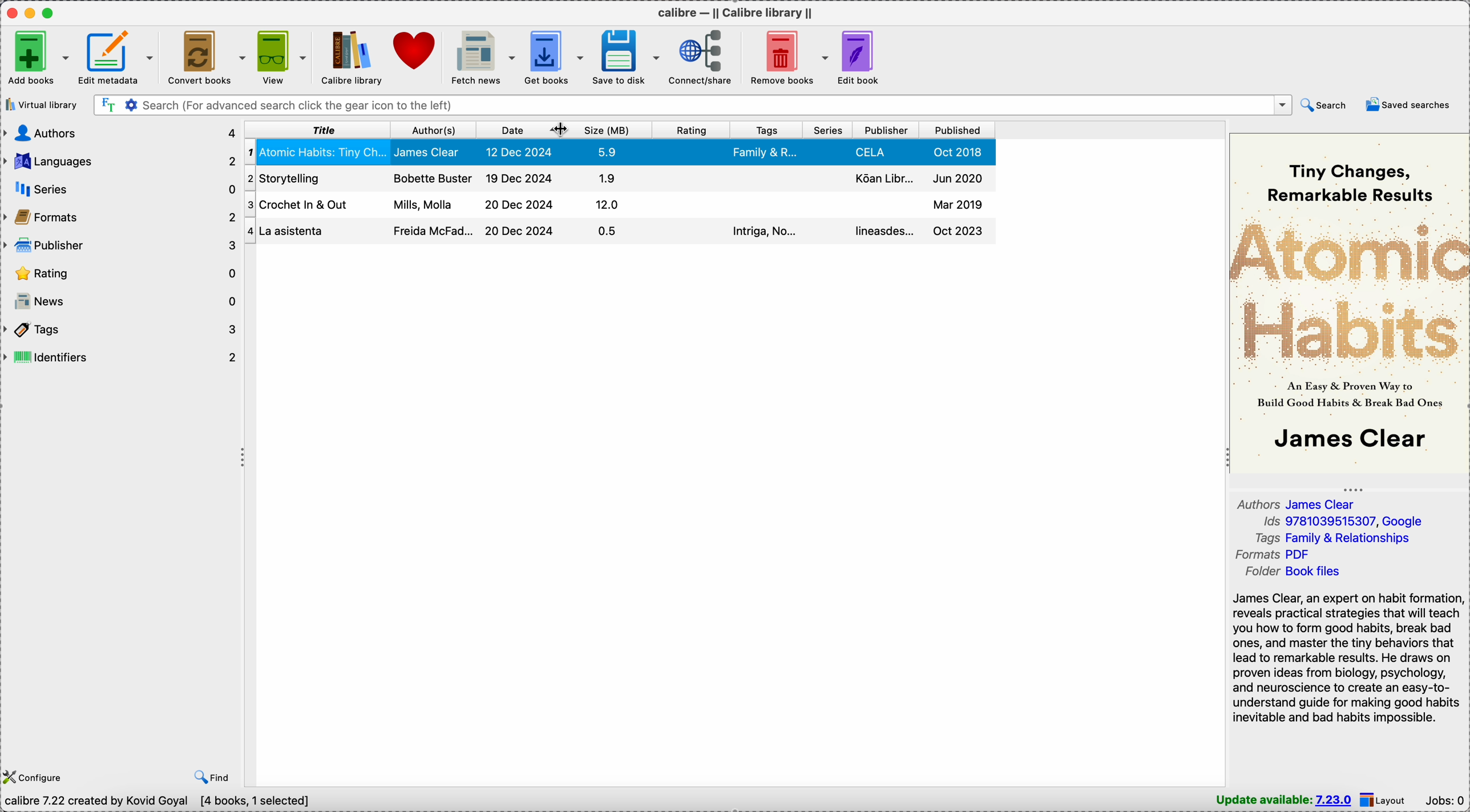  Describe the element at coordinates (766, 130) in the screenshot. I see `tags` at that location.